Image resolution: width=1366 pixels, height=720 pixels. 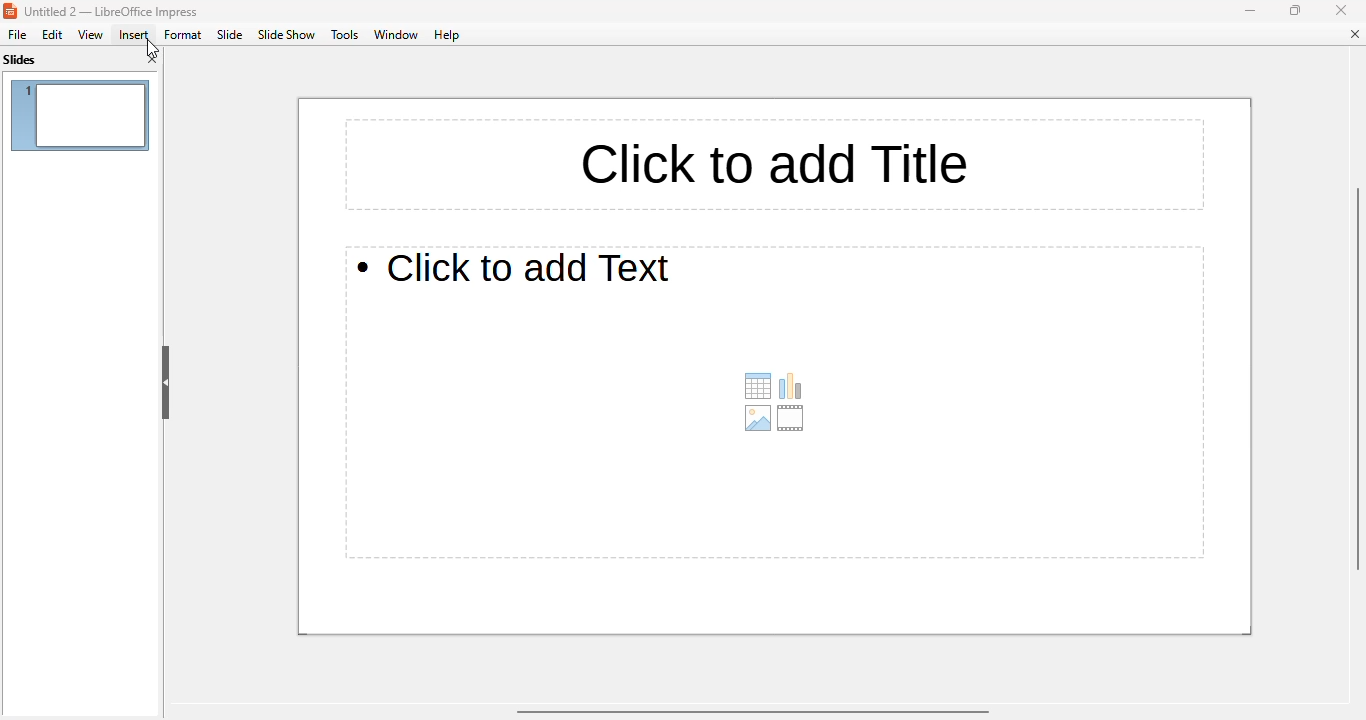 I want to click on tools, so click(x=345, y=34).